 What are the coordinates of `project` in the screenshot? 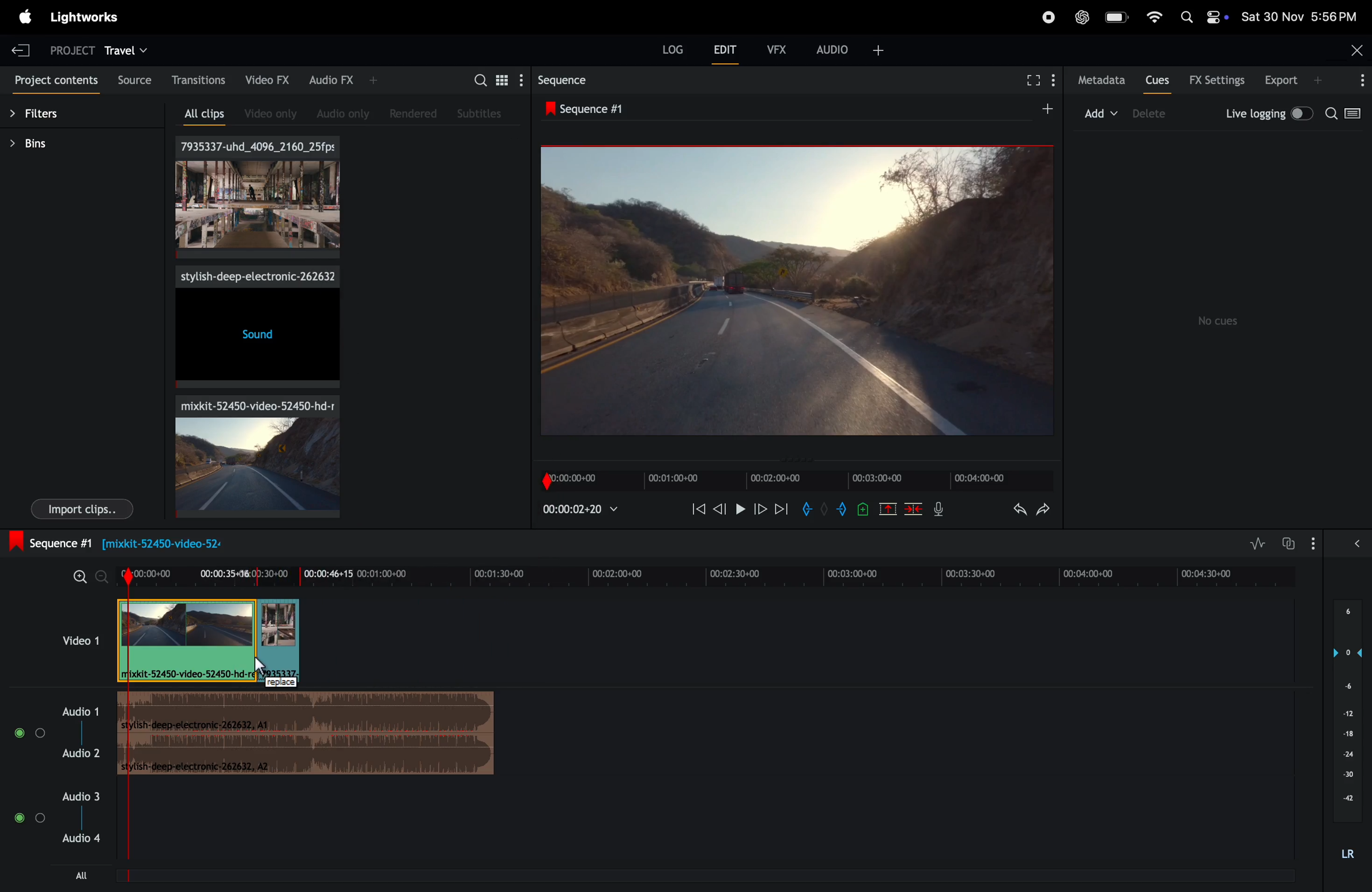 It's located at (66, 48).